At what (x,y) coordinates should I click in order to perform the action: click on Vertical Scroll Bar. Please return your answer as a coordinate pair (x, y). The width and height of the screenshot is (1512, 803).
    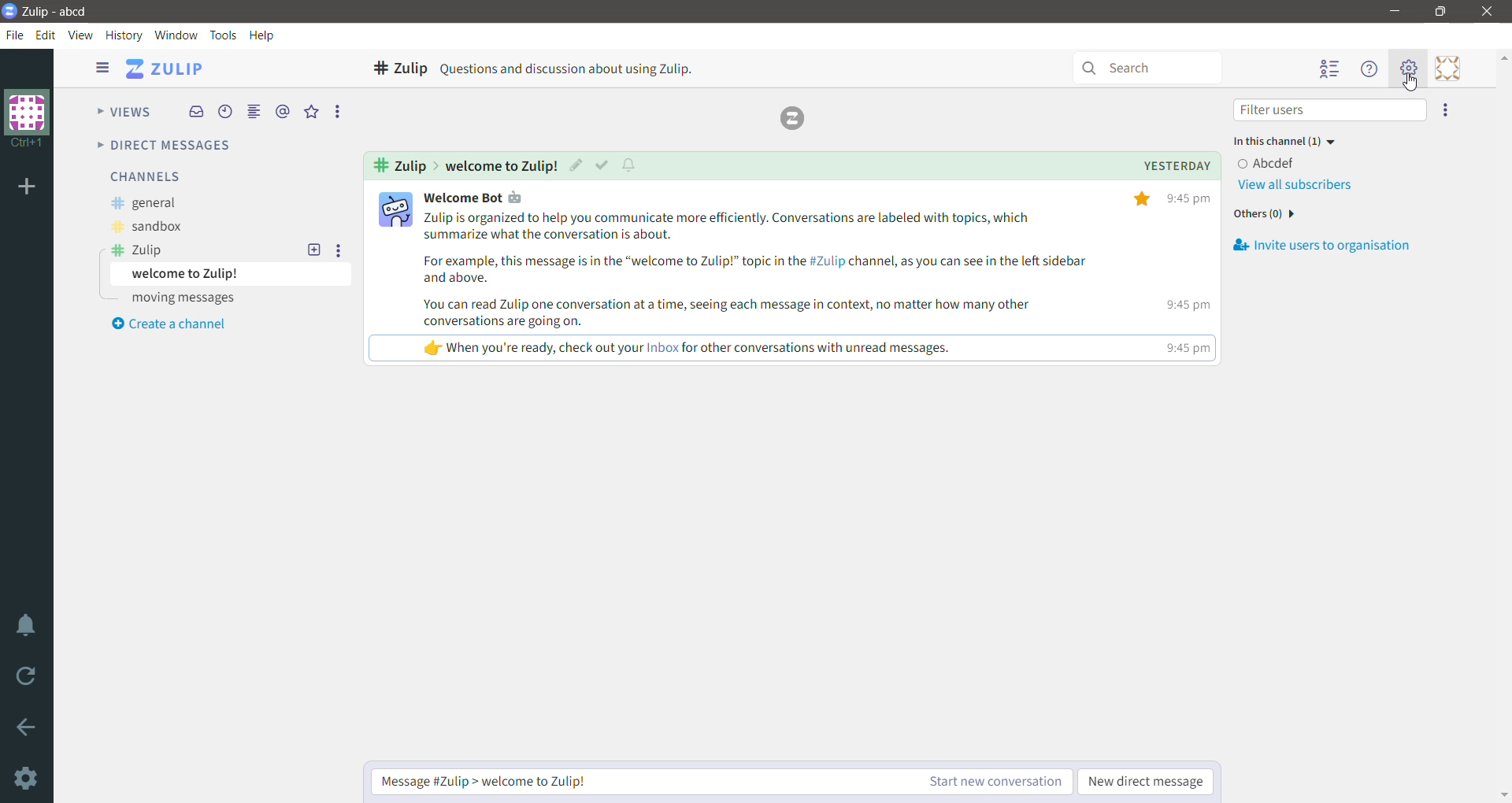
    Looking at the image, I should click on (1503, 426).